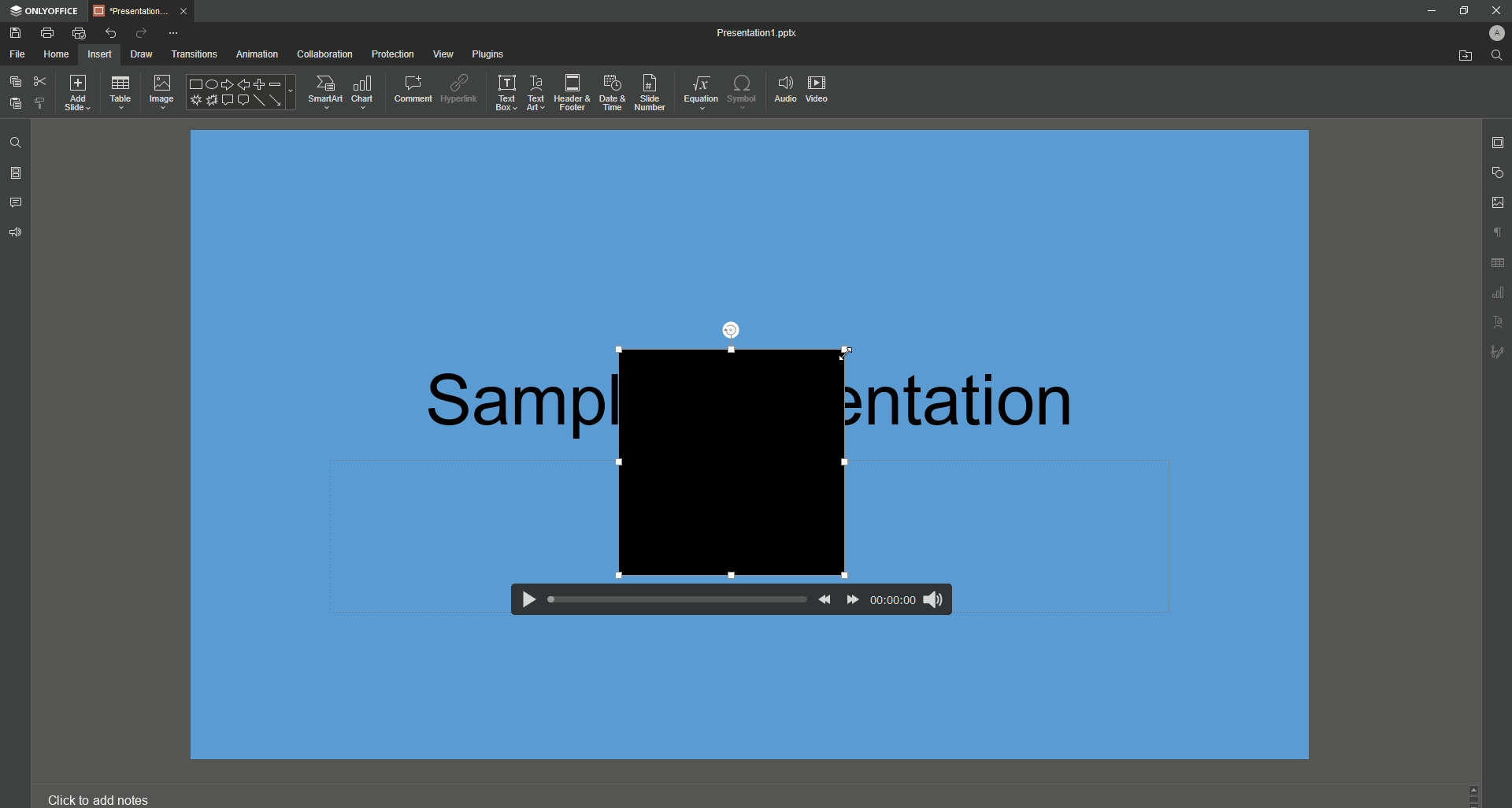 The image size is (1512, 808). What do you see at coordinates (324, 54) in the screenshot?
I see `Collaboration` at bounding box center [324, 54].